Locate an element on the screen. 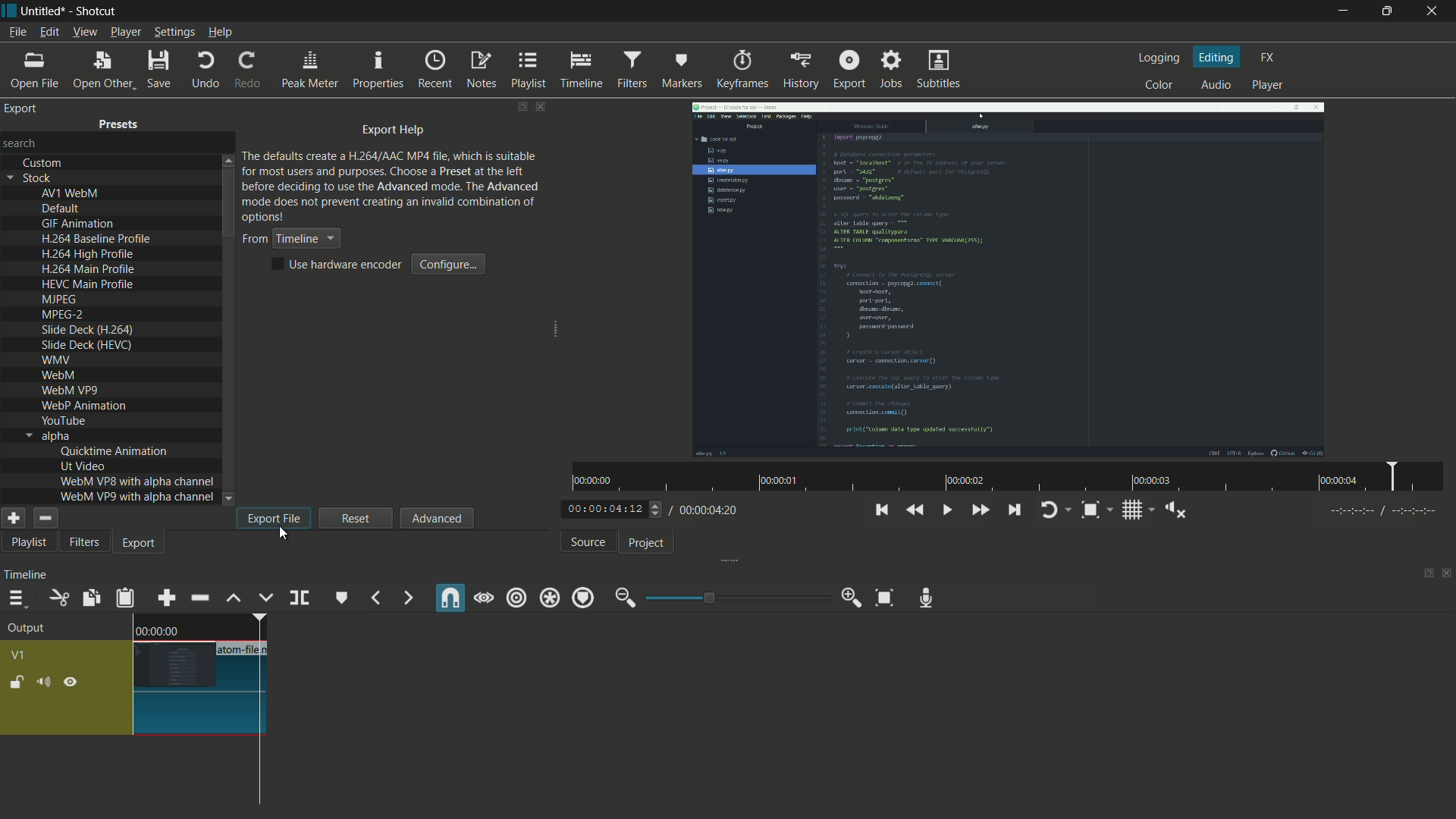 The width and height of the screenshot is (1456, 819). overwrite is located at coordinates (266, 599).